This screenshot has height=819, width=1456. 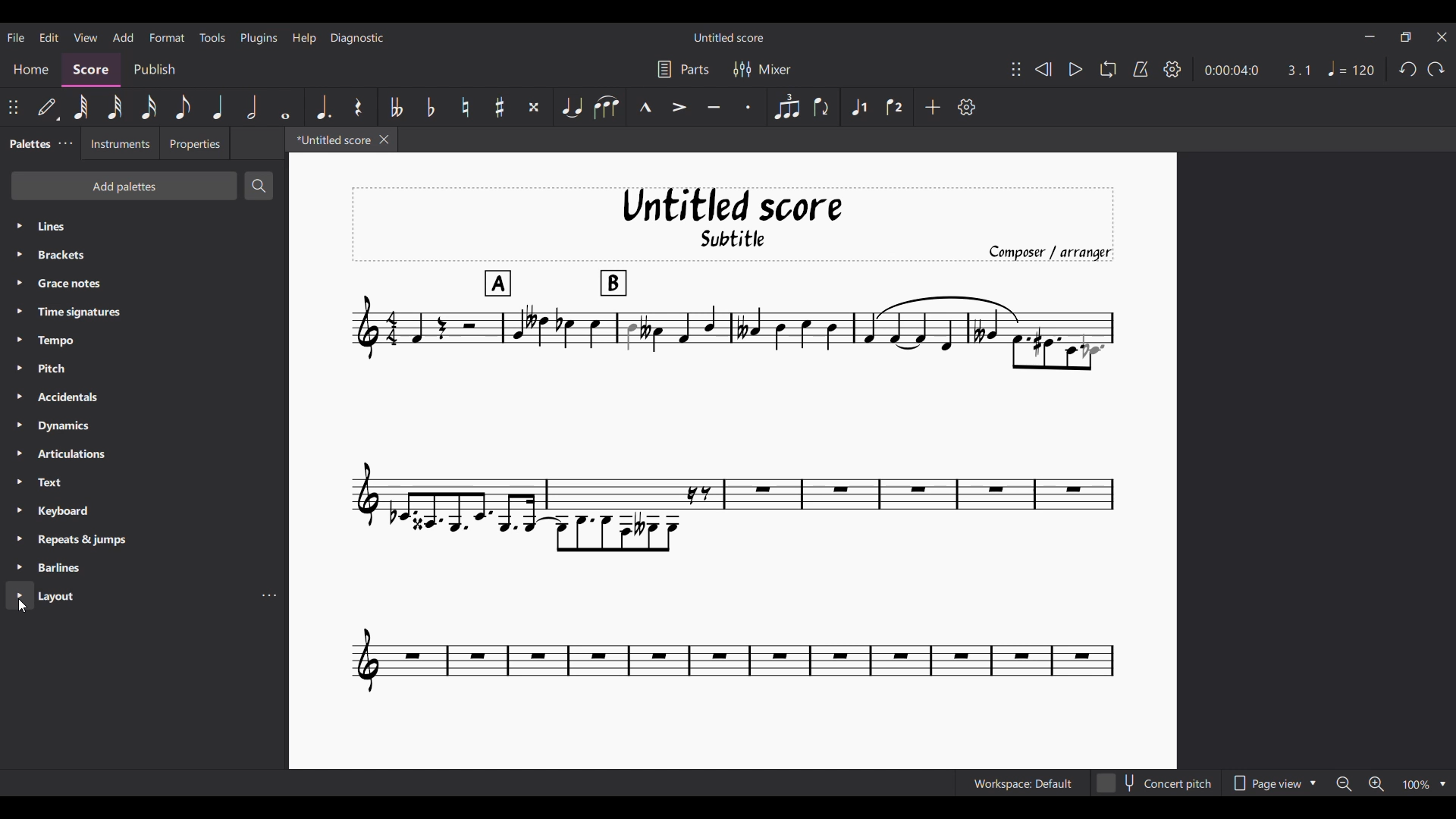 What do you see at coordinates (1376, 783) in the screenshot?
I see `Zoom in` at bounding box center [1376, 783].